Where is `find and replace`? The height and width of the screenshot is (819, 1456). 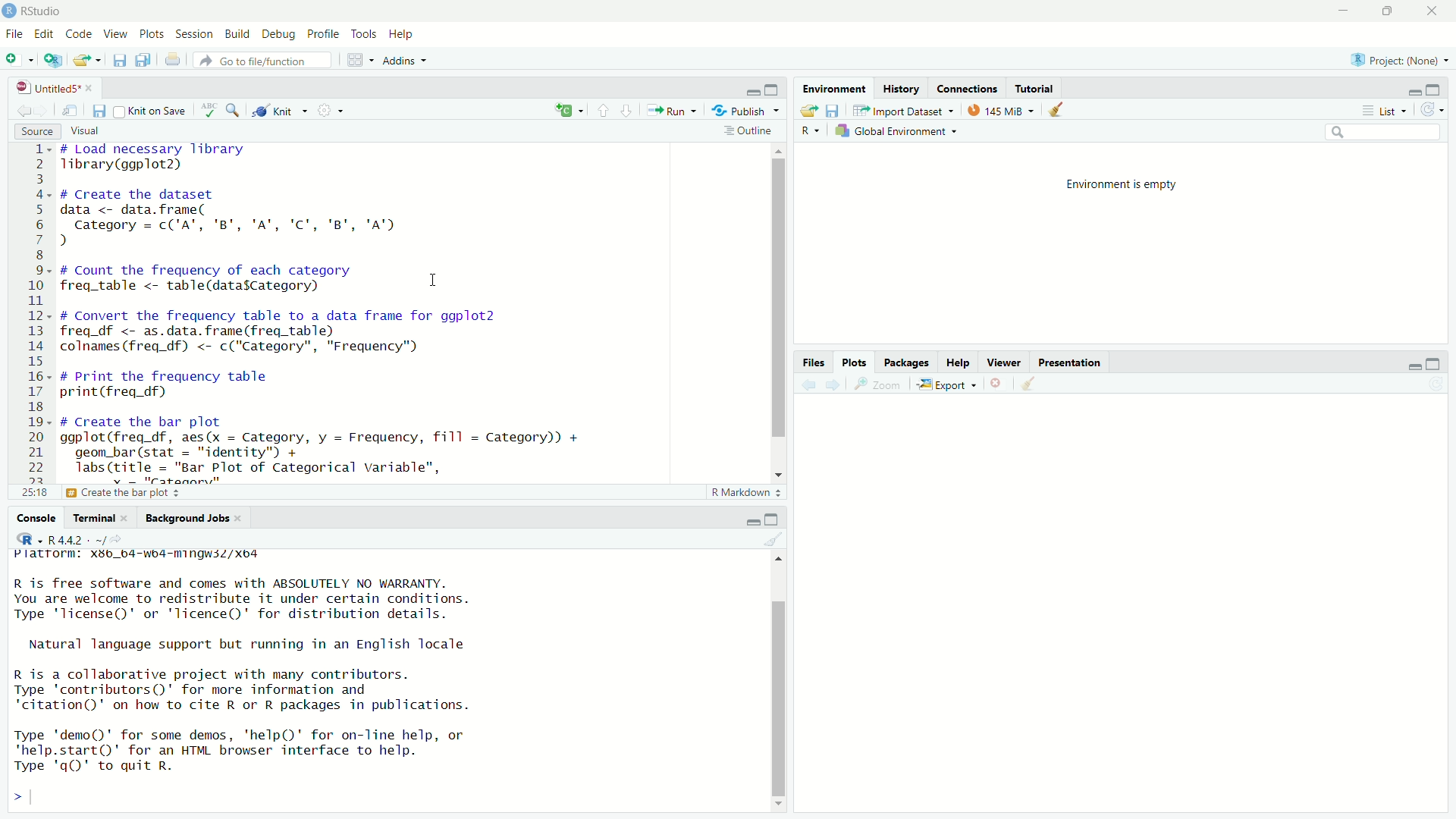 find and replace is located at coordinates (234, 112).